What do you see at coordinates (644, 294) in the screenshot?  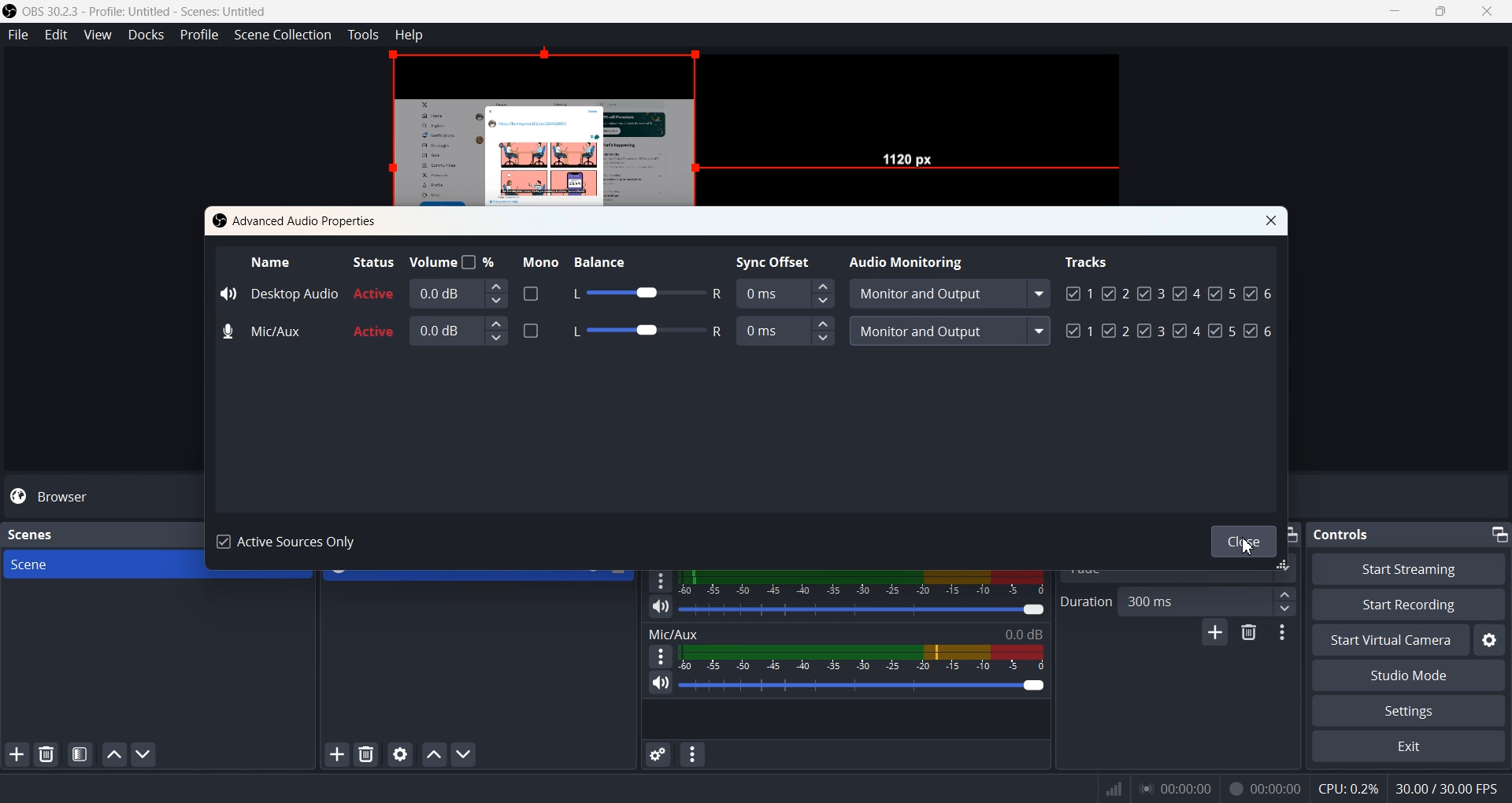 I see `Balance adjuster` at bounding box center [644, 294].